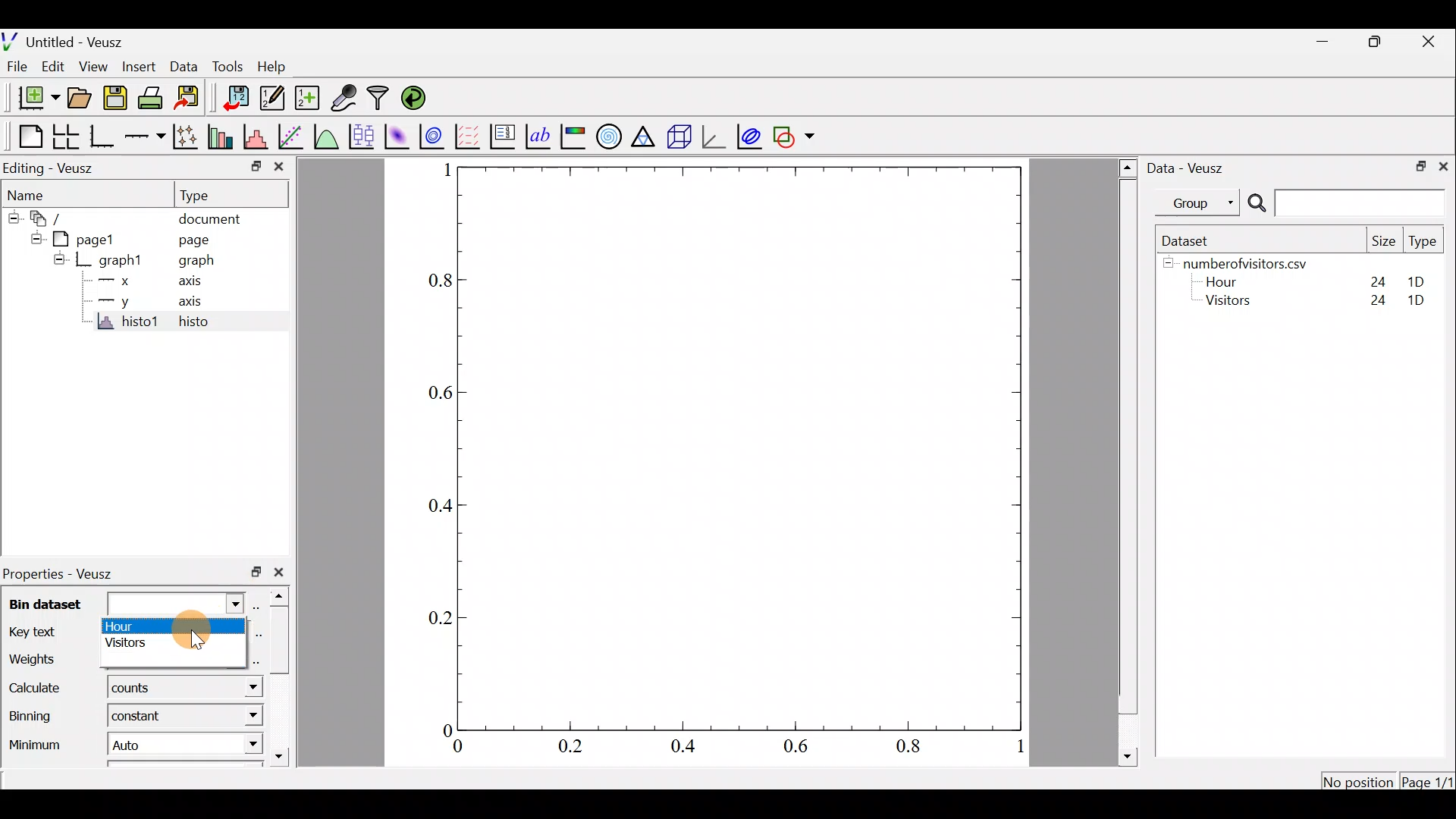 The width and height of the screenshot is (1456, 819). What do you see at coordinates (42, 632) in the screenshot?
I see `Key text` at bounding box center [42, 632].